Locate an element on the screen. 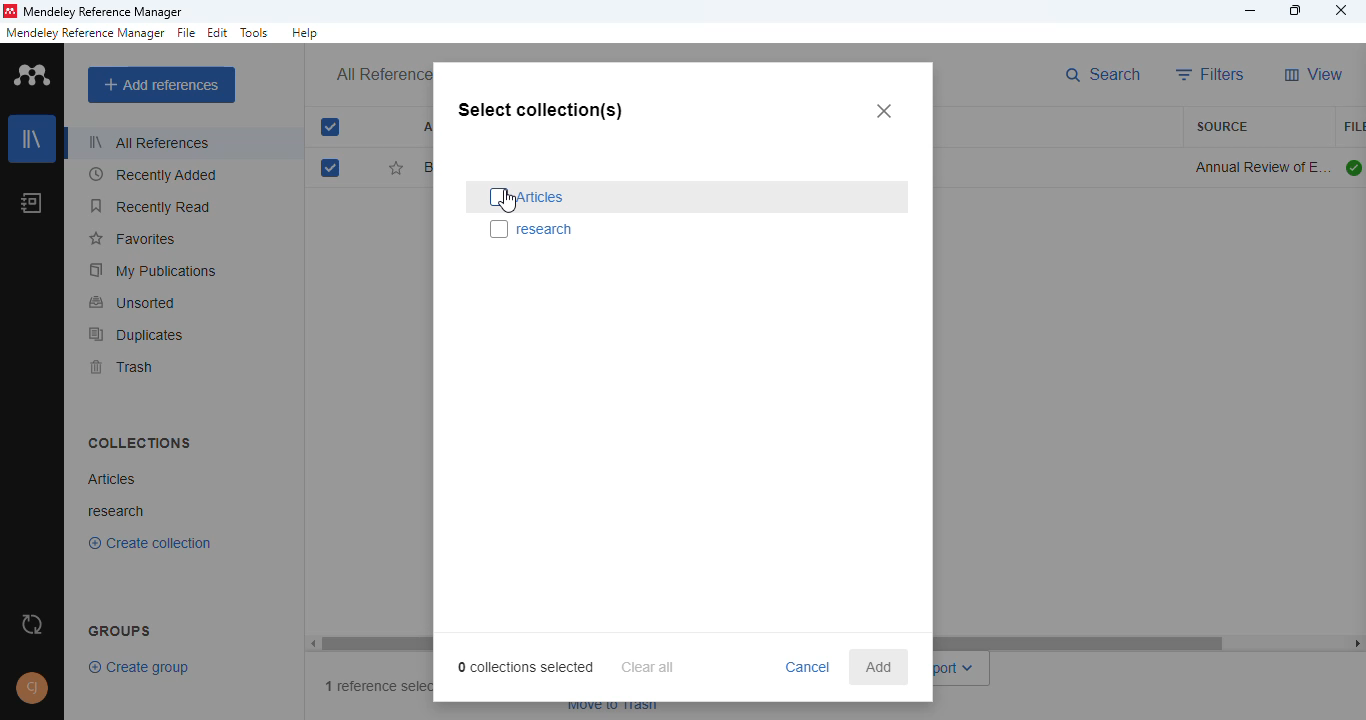 Image resolution: width=1366 pixels, height=720 pixels. mendeley reference manager is located at coordinates (85, 33).